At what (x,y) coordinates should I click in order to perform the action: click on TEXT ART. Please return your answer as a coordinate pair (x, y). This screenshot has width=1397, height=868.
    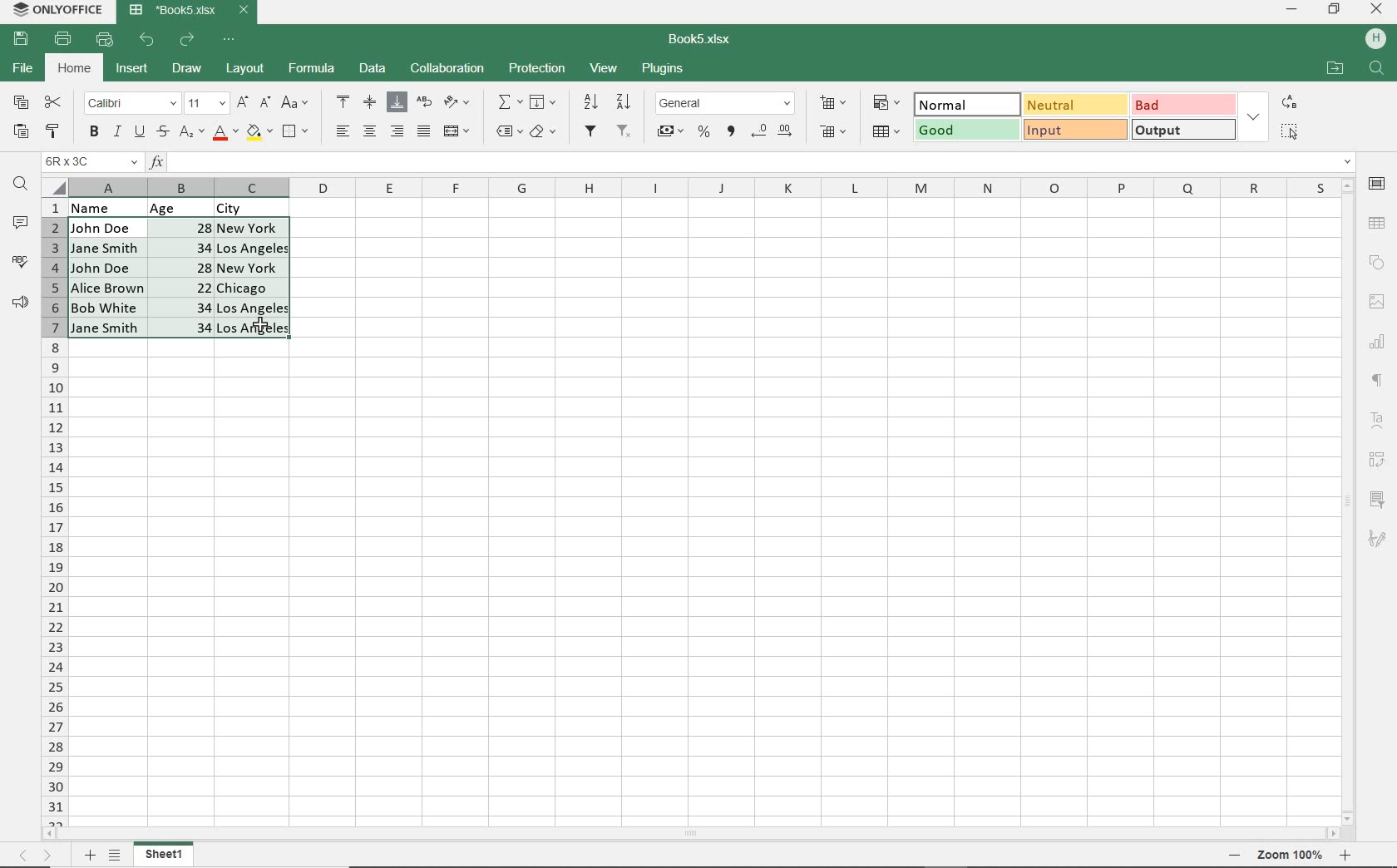
    Looking at the image, I should click on (1379, 422).